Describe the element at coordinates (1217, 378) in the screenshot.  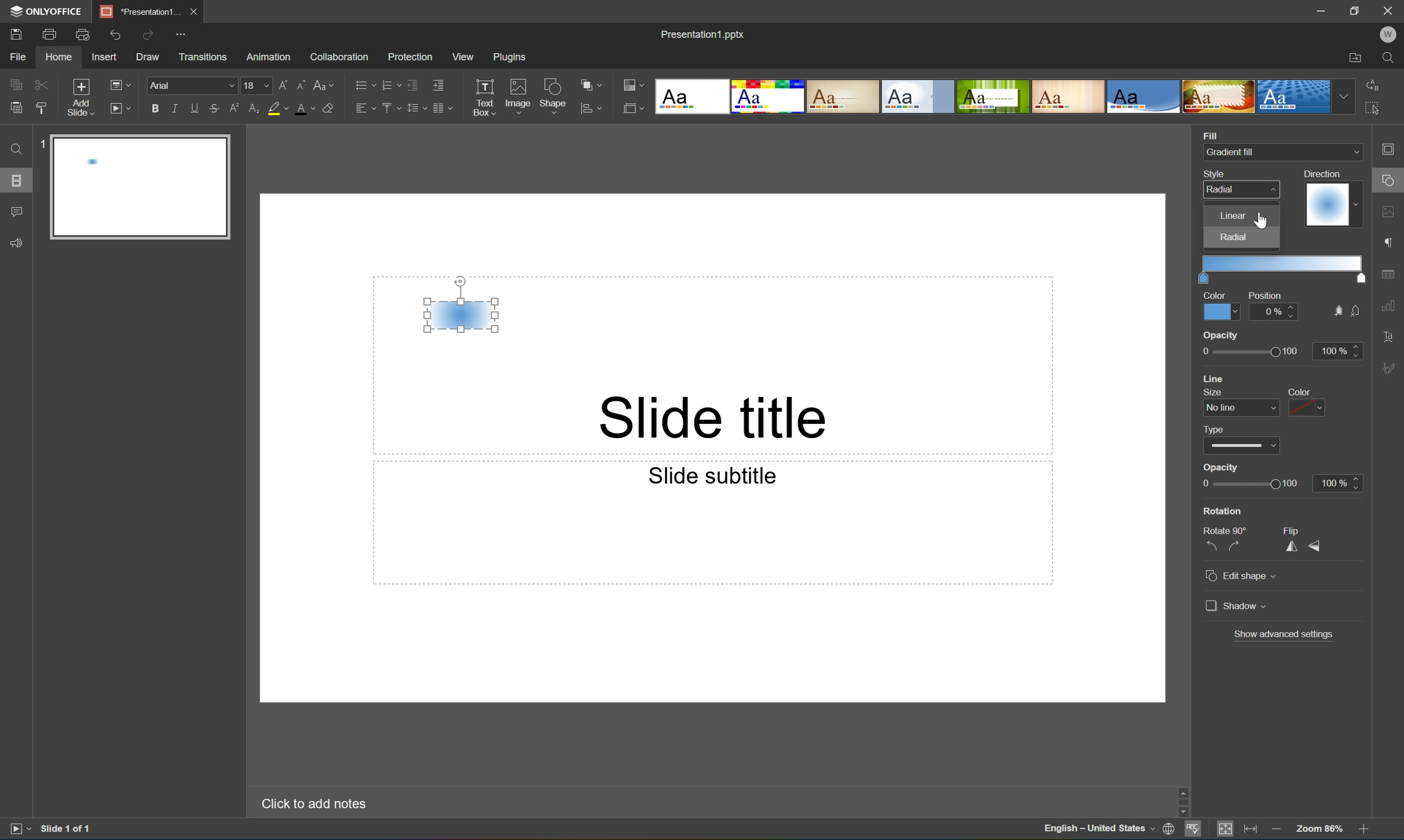
I see `line` at that location.